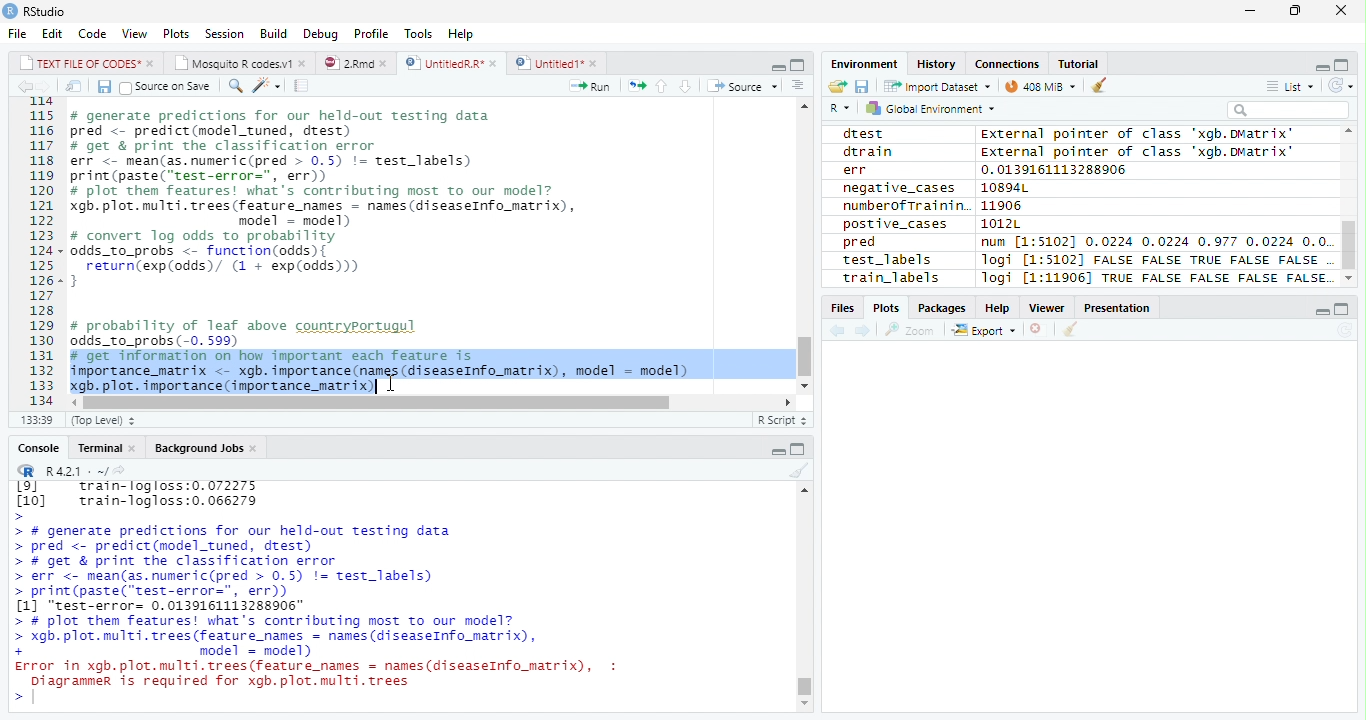 Image resolution: width=1366 pixels, height=720 pixels. What do you see at coordinates (938, 64) in the screenshot?
I see `History` at bounding box center [938, 64].